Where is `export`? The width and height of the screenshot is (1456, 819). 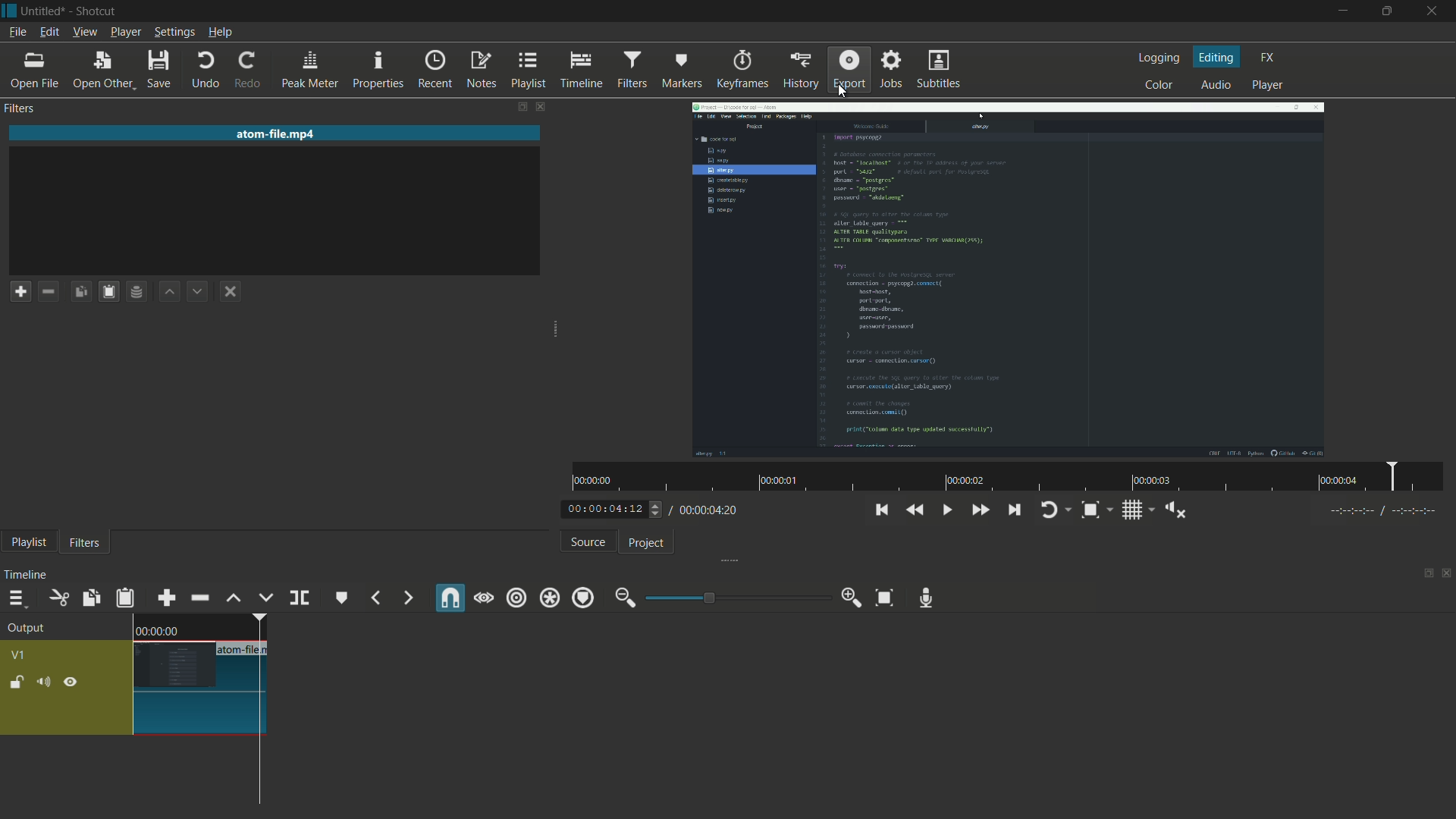
export is located at coordinates (848, 69).